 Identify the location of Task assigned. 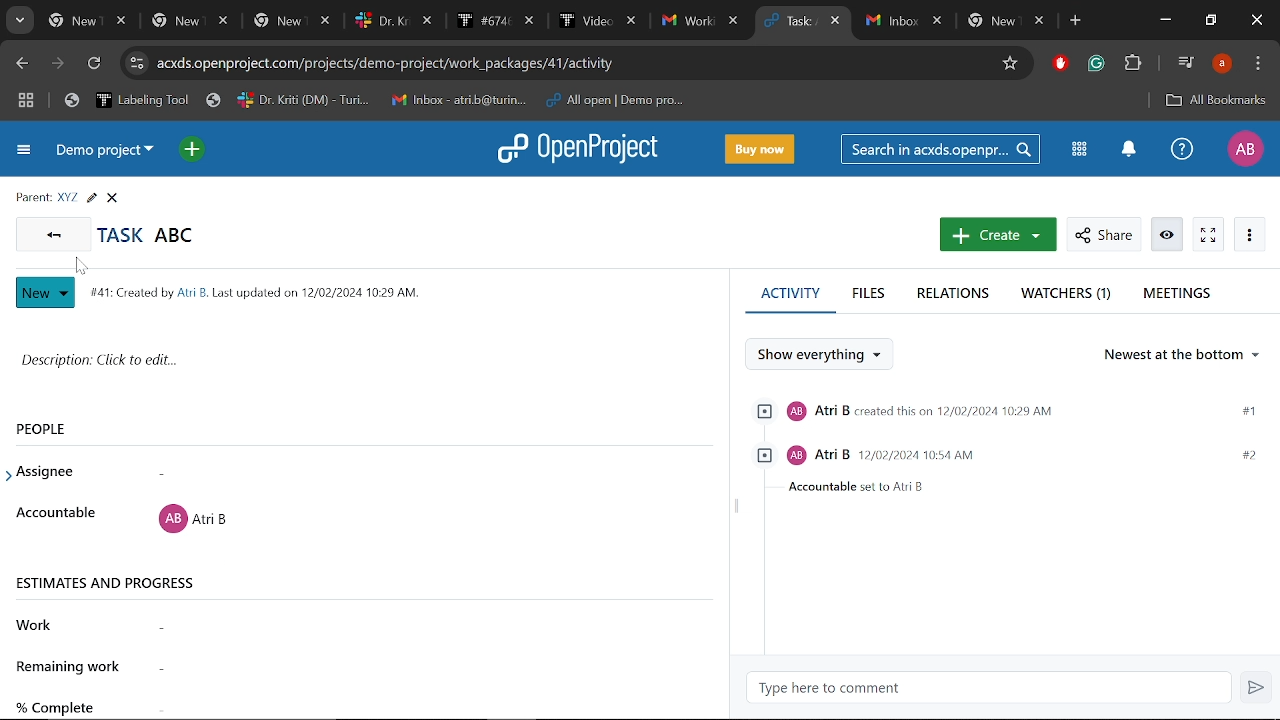
(1005, 466).